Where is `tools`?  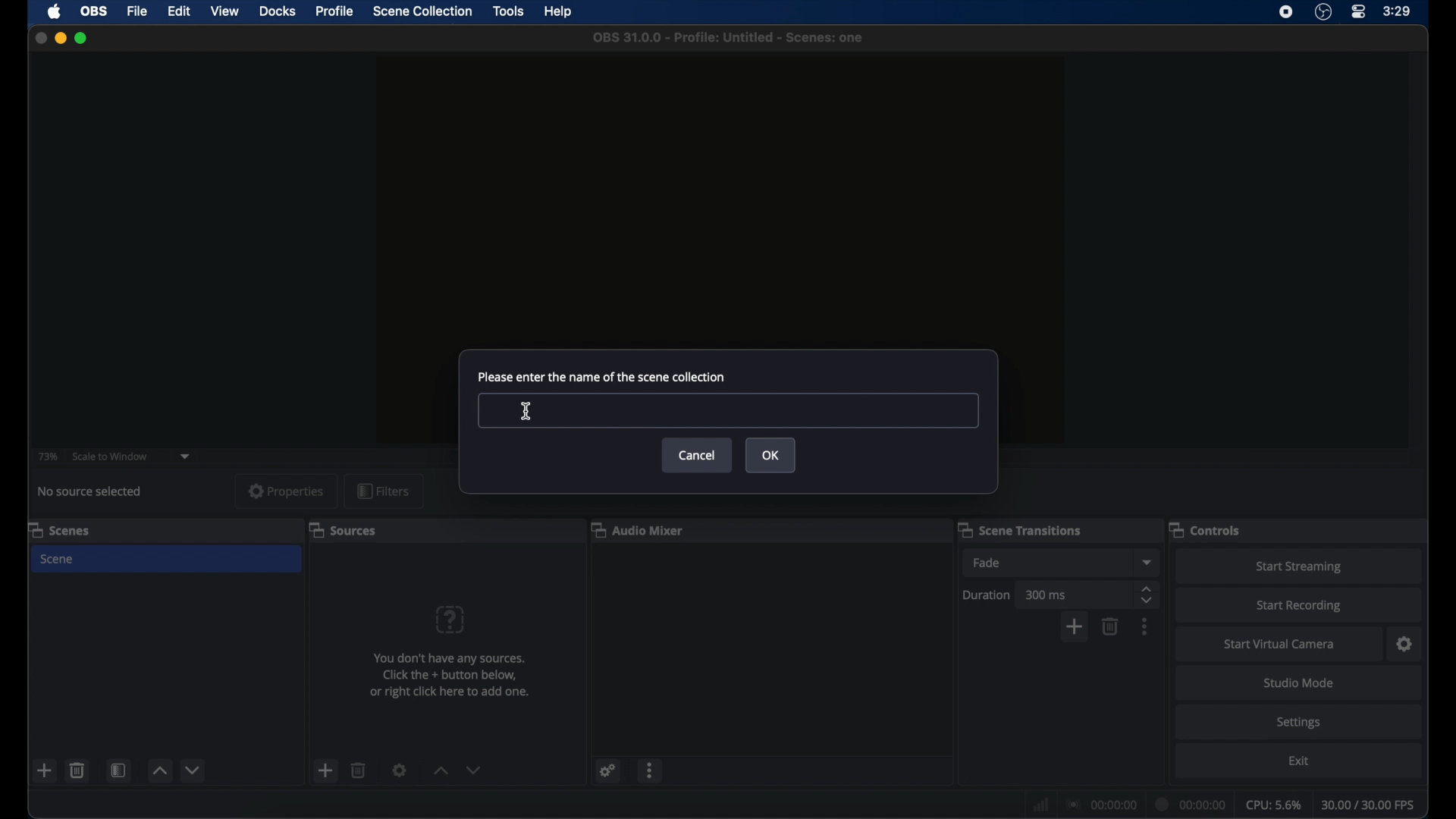 tools is located at coordinates (510, 11).